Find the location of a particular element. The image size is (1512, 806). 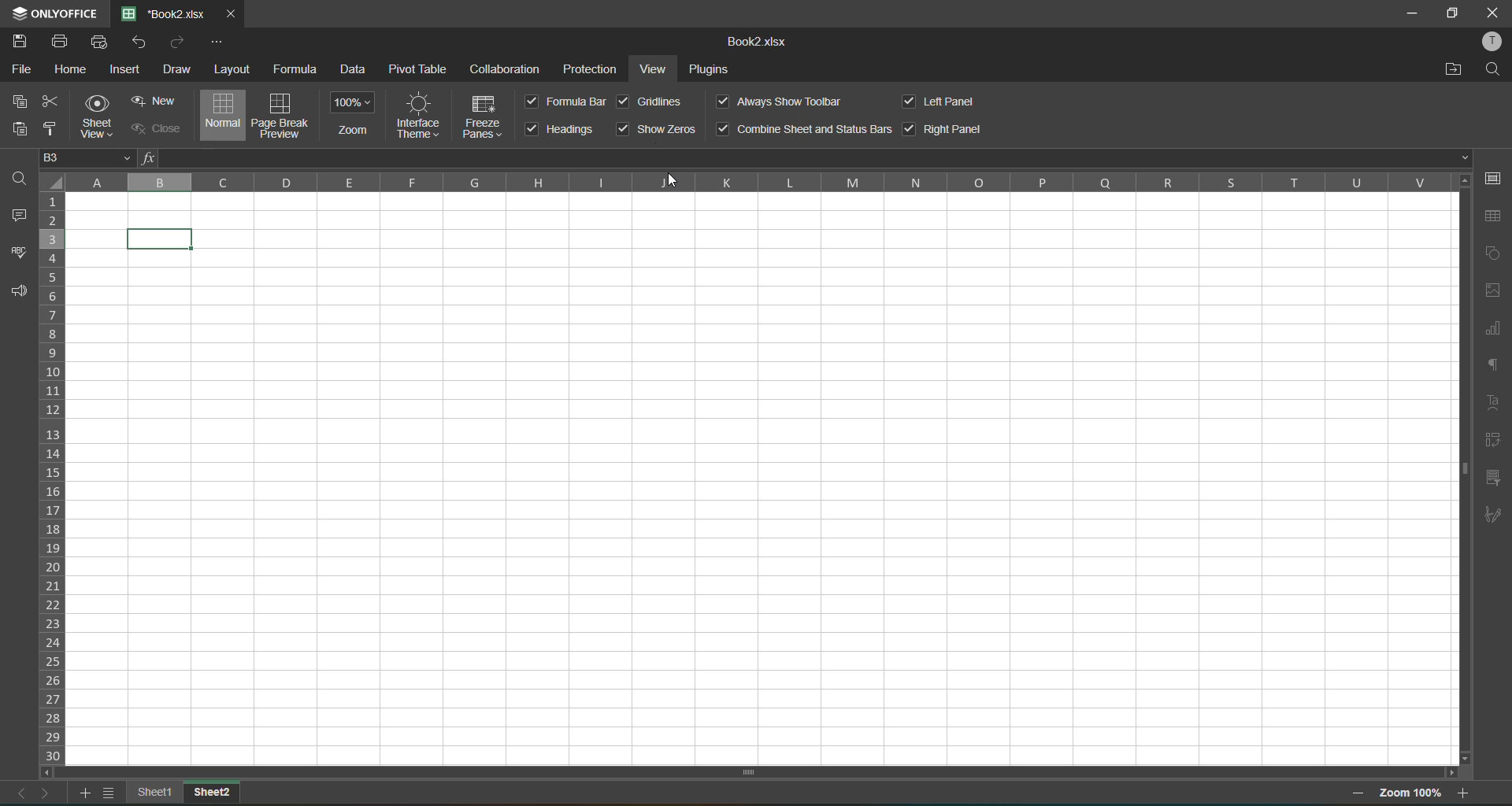

left panel is located at coordinates (944, 102).